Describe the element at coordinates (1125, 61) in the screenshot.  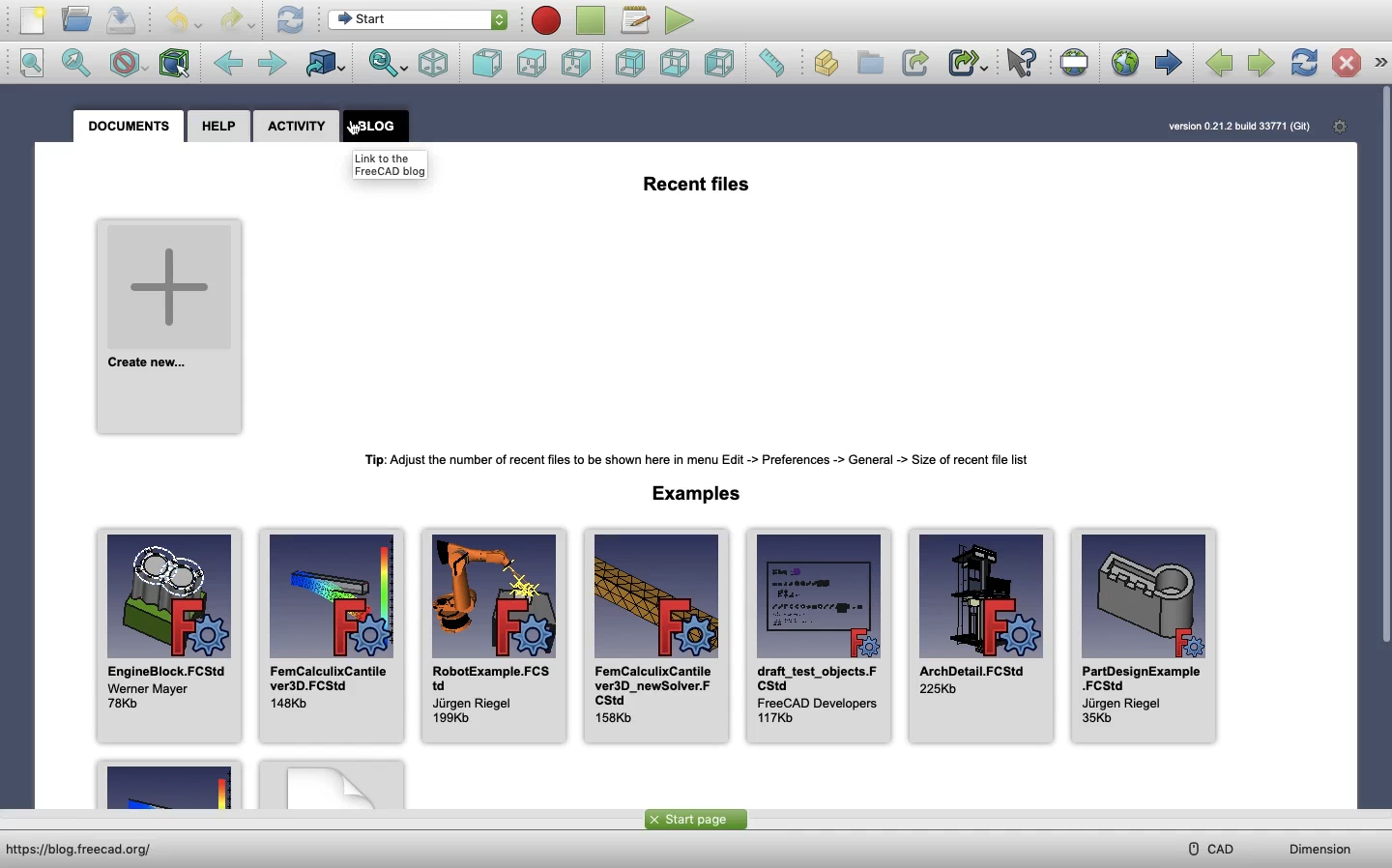
I see `Go to Start Page` at that location.